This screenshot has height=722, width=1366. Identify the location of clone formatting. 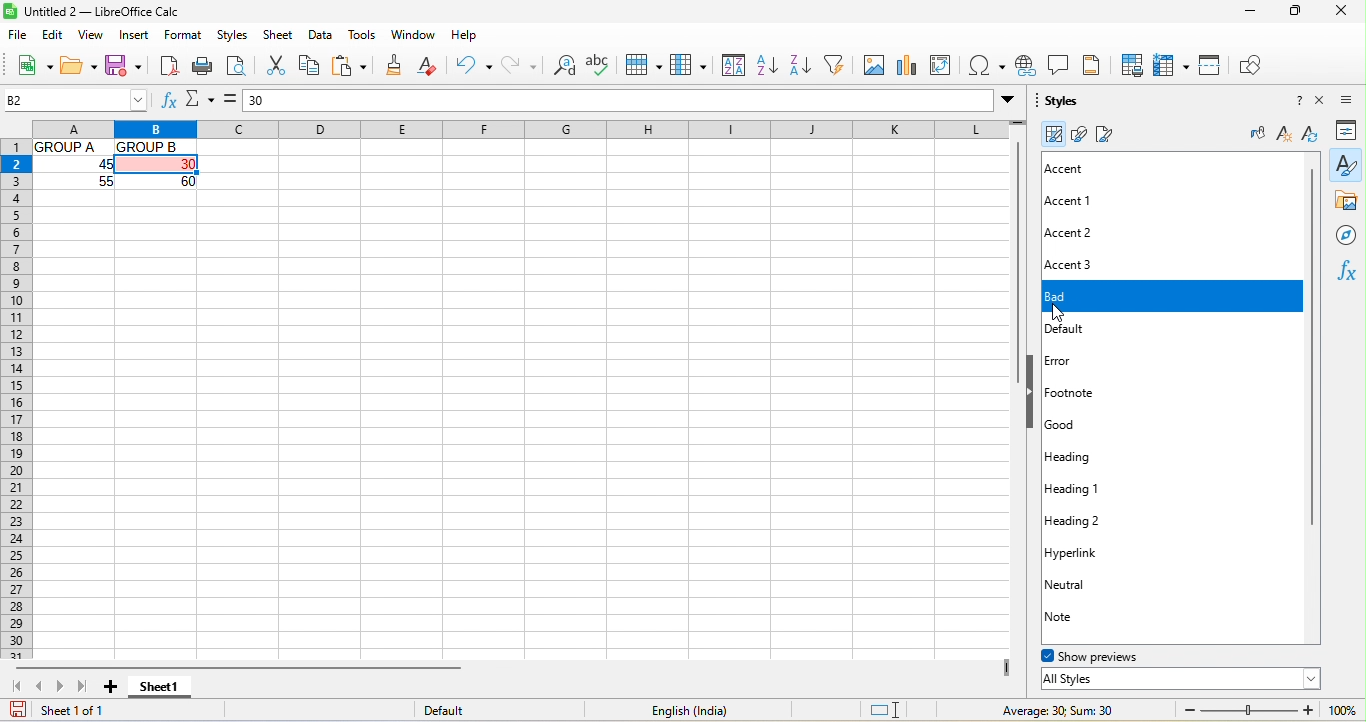
(397, 65).